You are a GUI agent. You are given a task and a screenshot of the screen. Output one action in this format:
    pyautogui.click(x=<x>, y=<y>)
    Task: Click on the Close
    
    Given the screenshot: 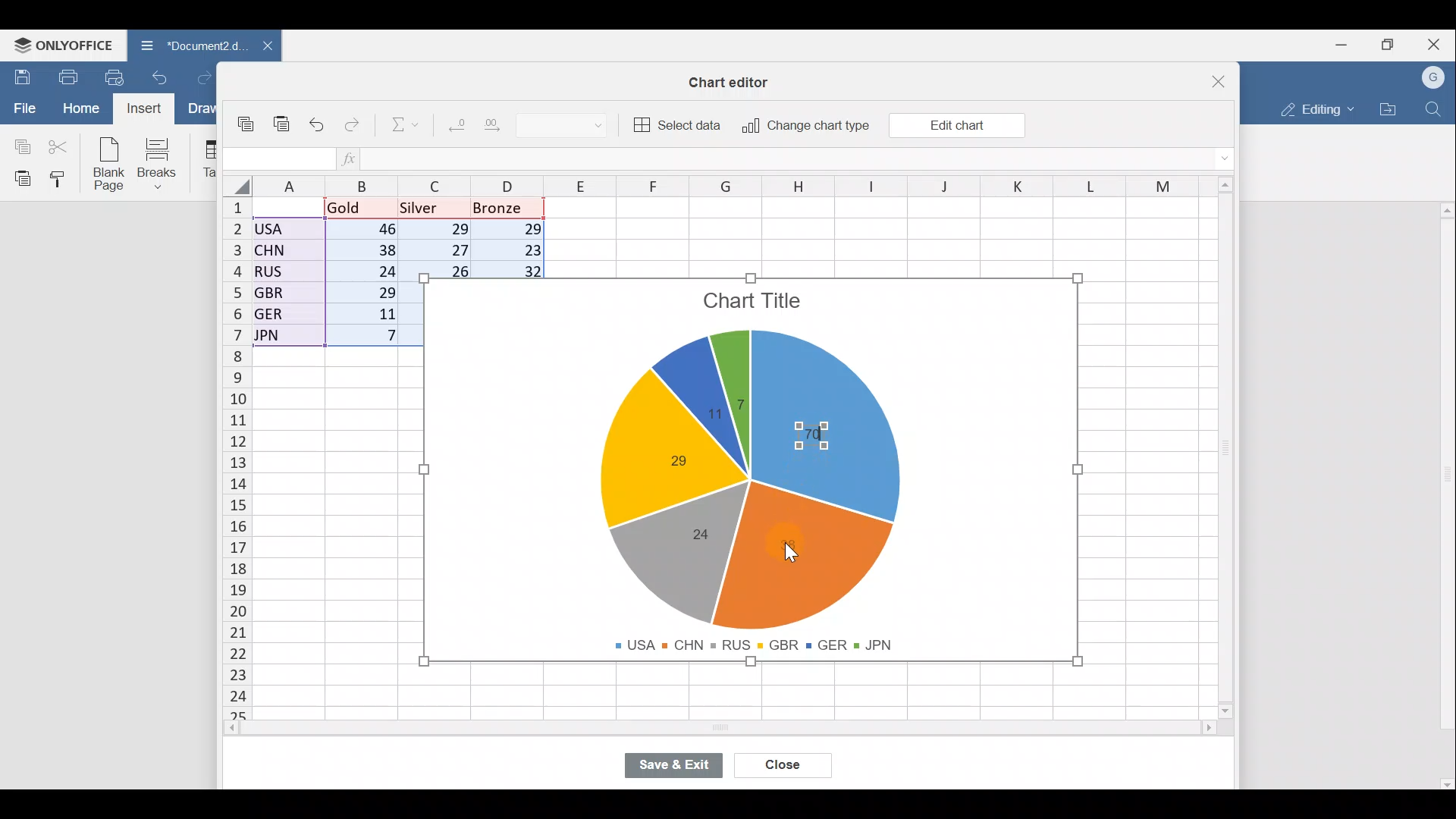 What is the action you would take?
    pyautogui.click(x=1225, y=80)
    